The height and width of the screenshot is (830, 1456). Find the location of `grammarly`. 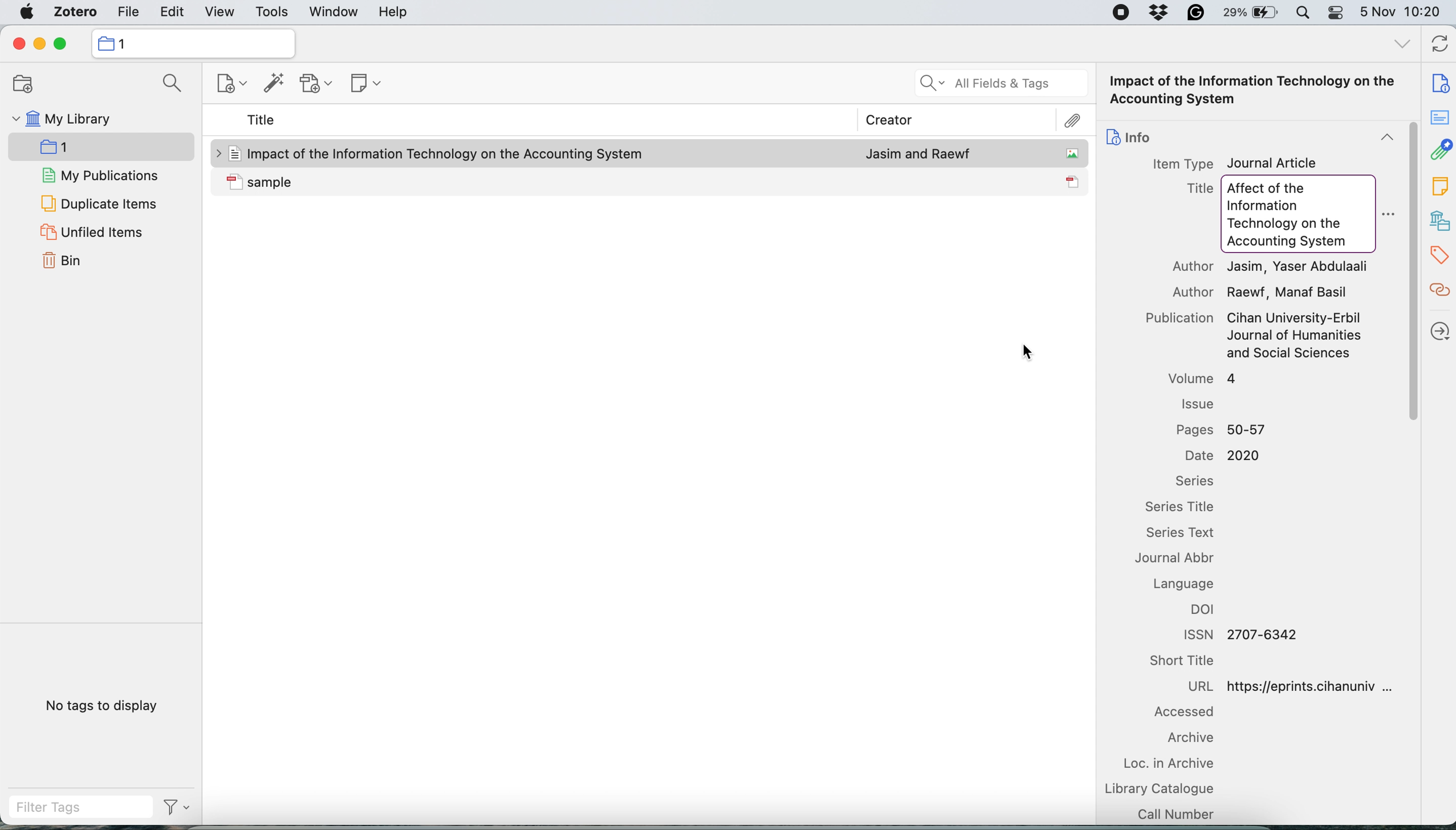

grammarly is located at coordinates (1196, 13).